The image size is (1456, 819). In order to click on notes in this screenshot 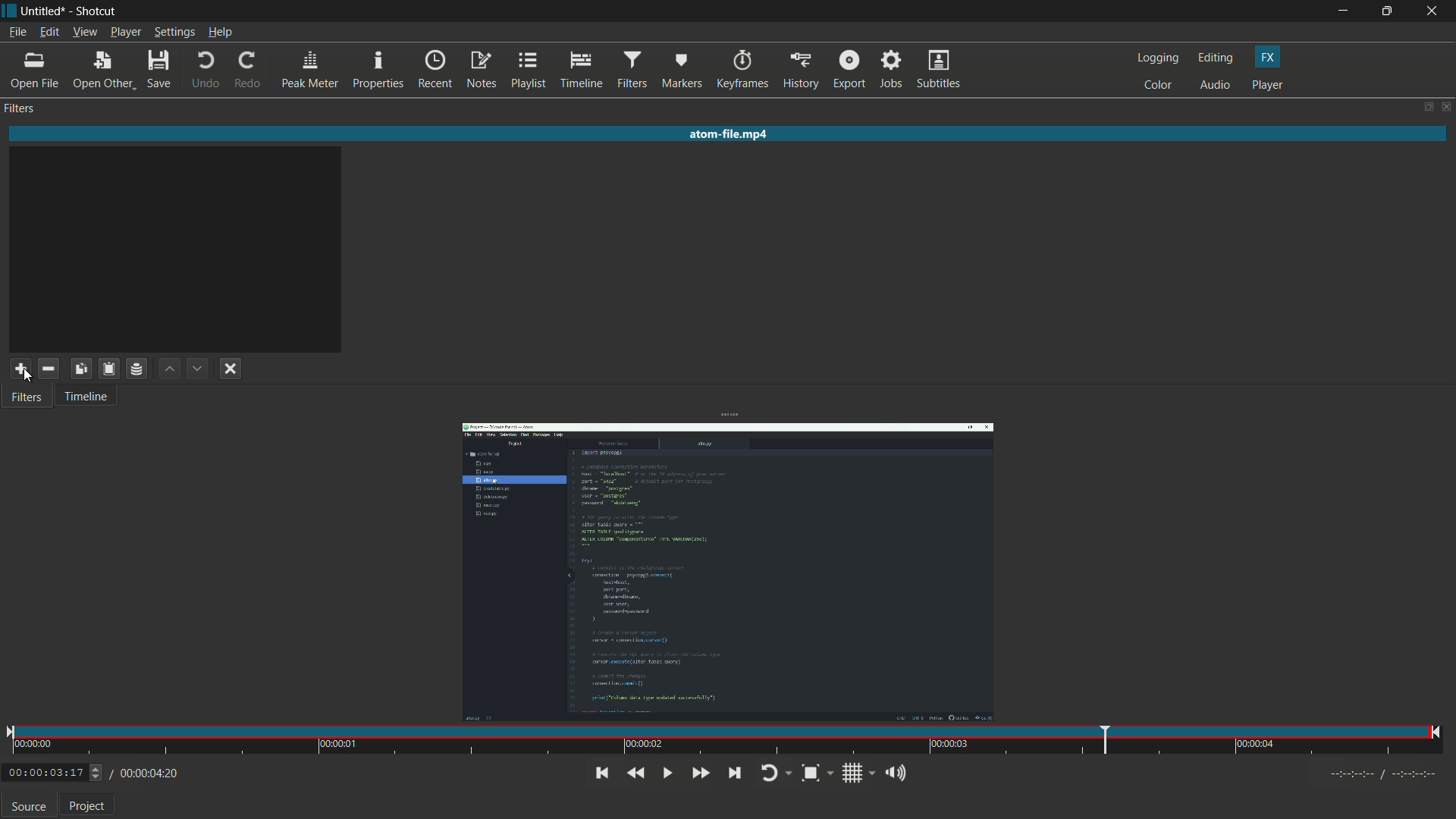, I will do `click(481, 70)`.